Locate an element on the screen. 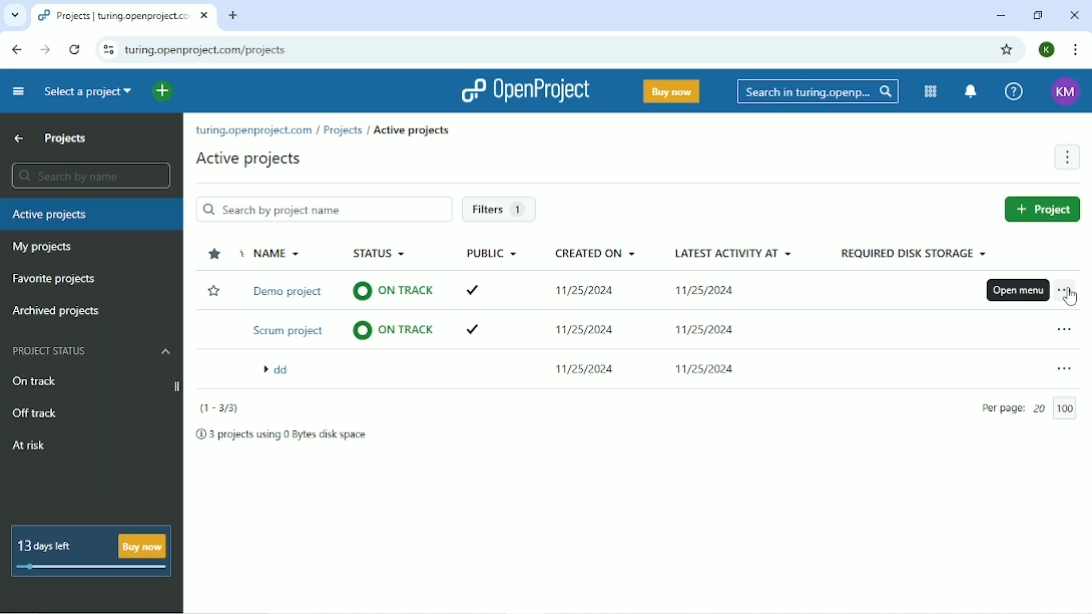 The width and height of the screenshot is (1092, 614). Account is located at coordinates (1065, 93).